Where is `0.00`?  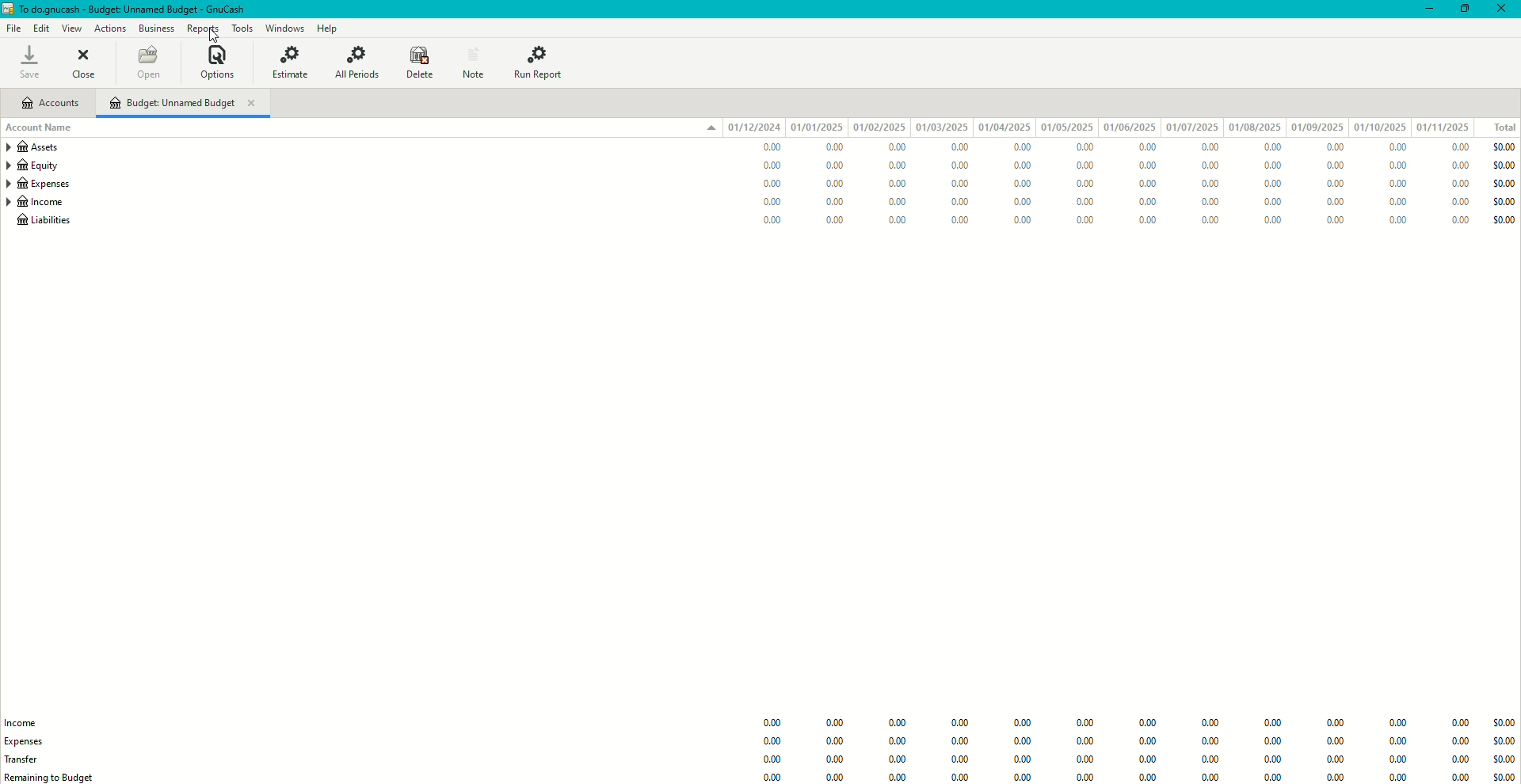
0.00 is located at coordinates (1340, 150).